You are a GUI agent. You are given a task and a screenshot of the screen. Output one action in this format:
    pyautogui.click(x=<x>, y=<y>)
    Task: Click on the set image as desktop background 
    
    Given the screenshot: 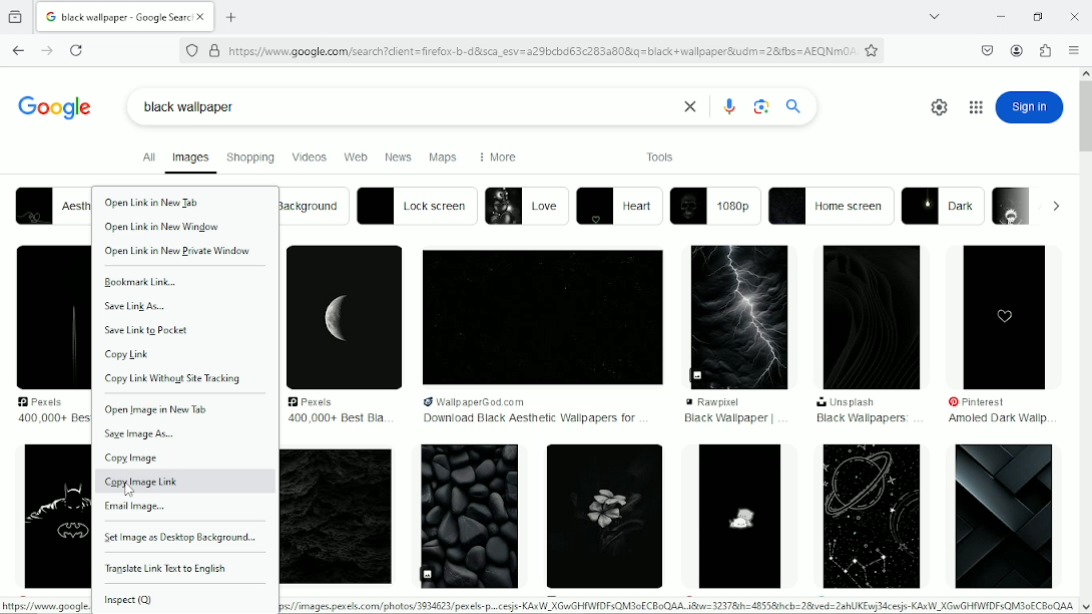 What is the action you would take?
    pyautogui.click(x=178, y=538)
    